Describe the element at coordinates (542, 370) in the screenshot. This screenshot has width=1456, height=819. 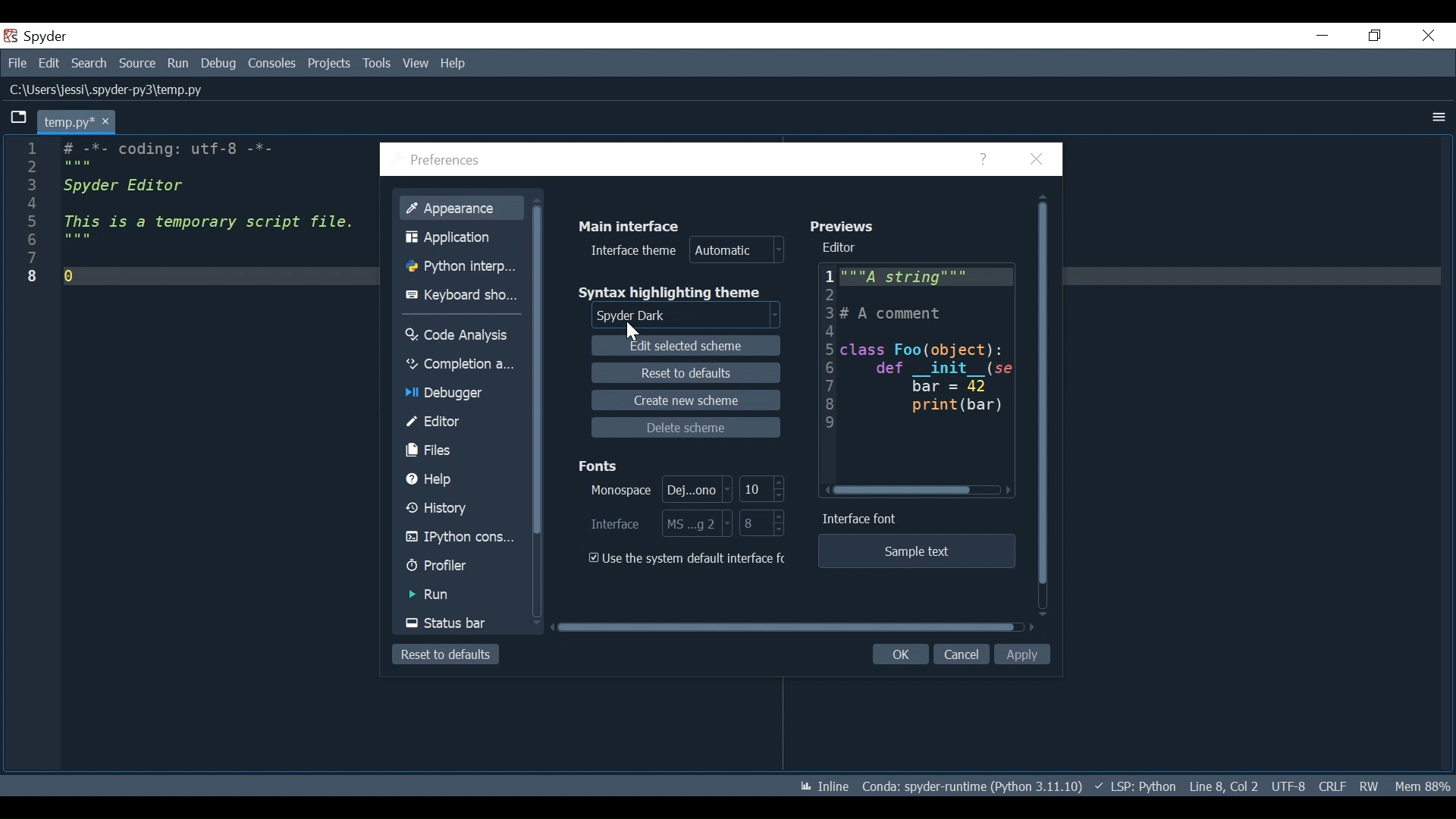
I see `Vertical Scroll bar` at that location.